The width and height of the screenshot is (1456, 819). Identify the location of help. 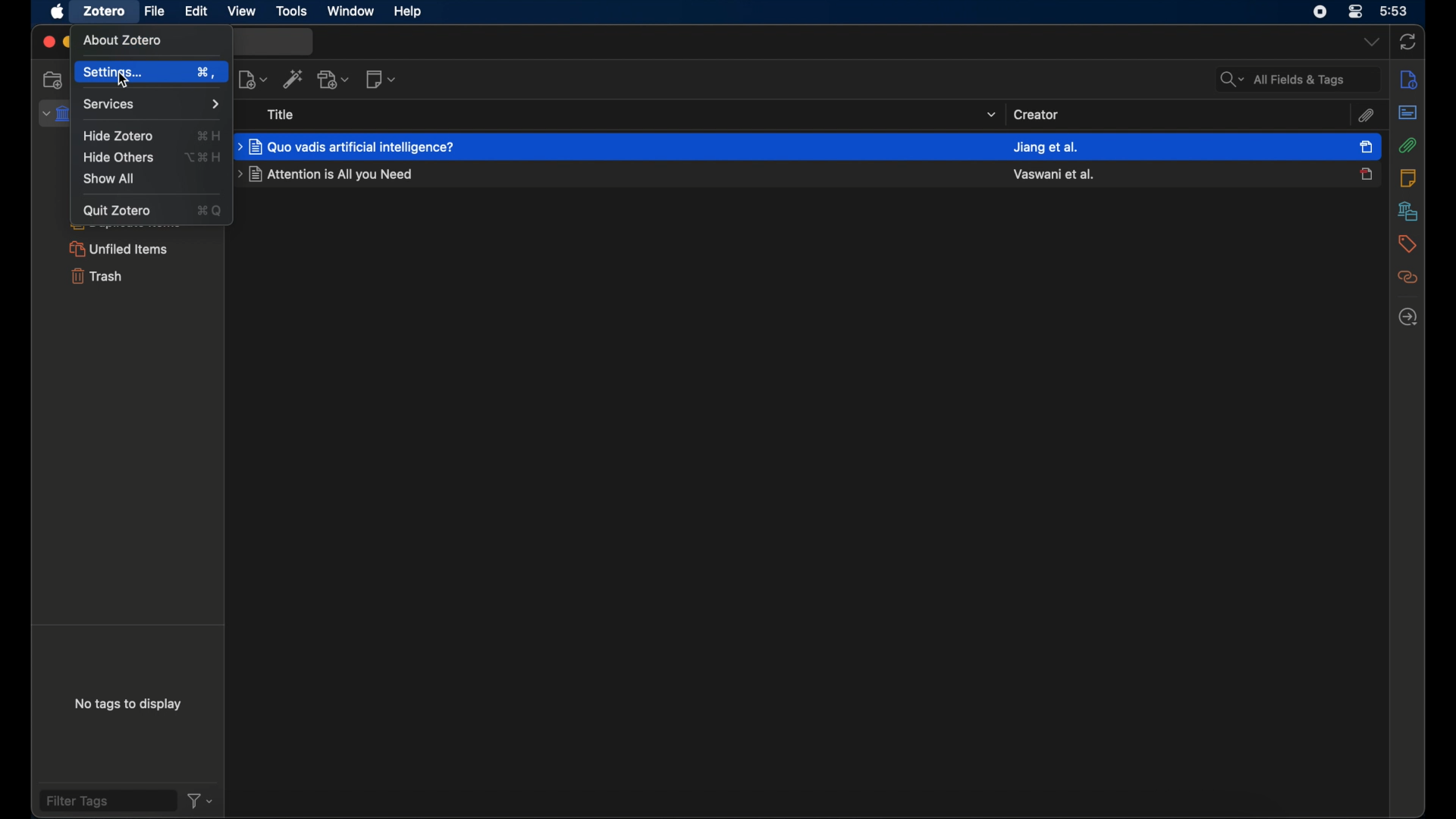
(410, 11).